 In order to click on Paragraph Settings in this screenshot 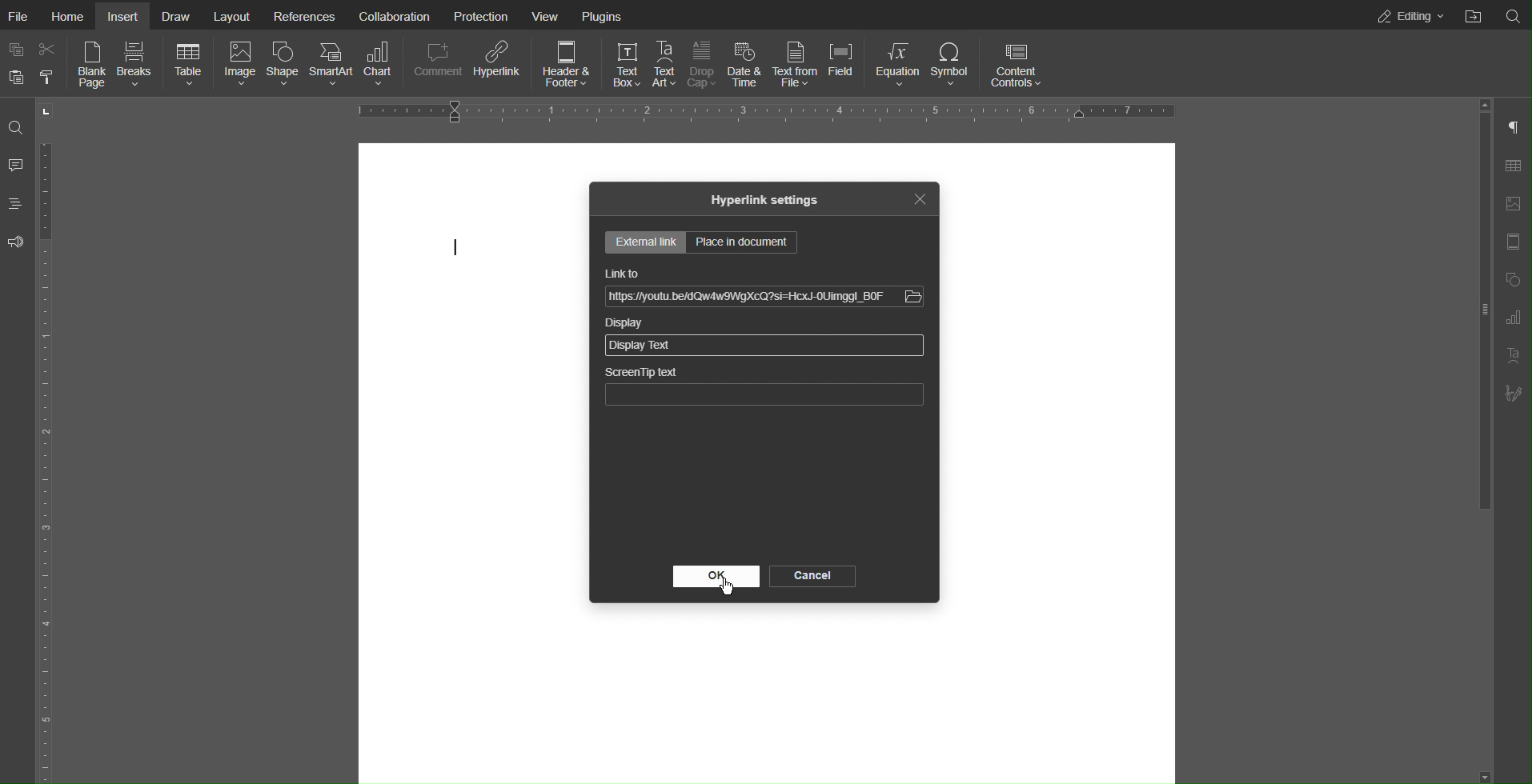, I will do `click(1513, 124)`.